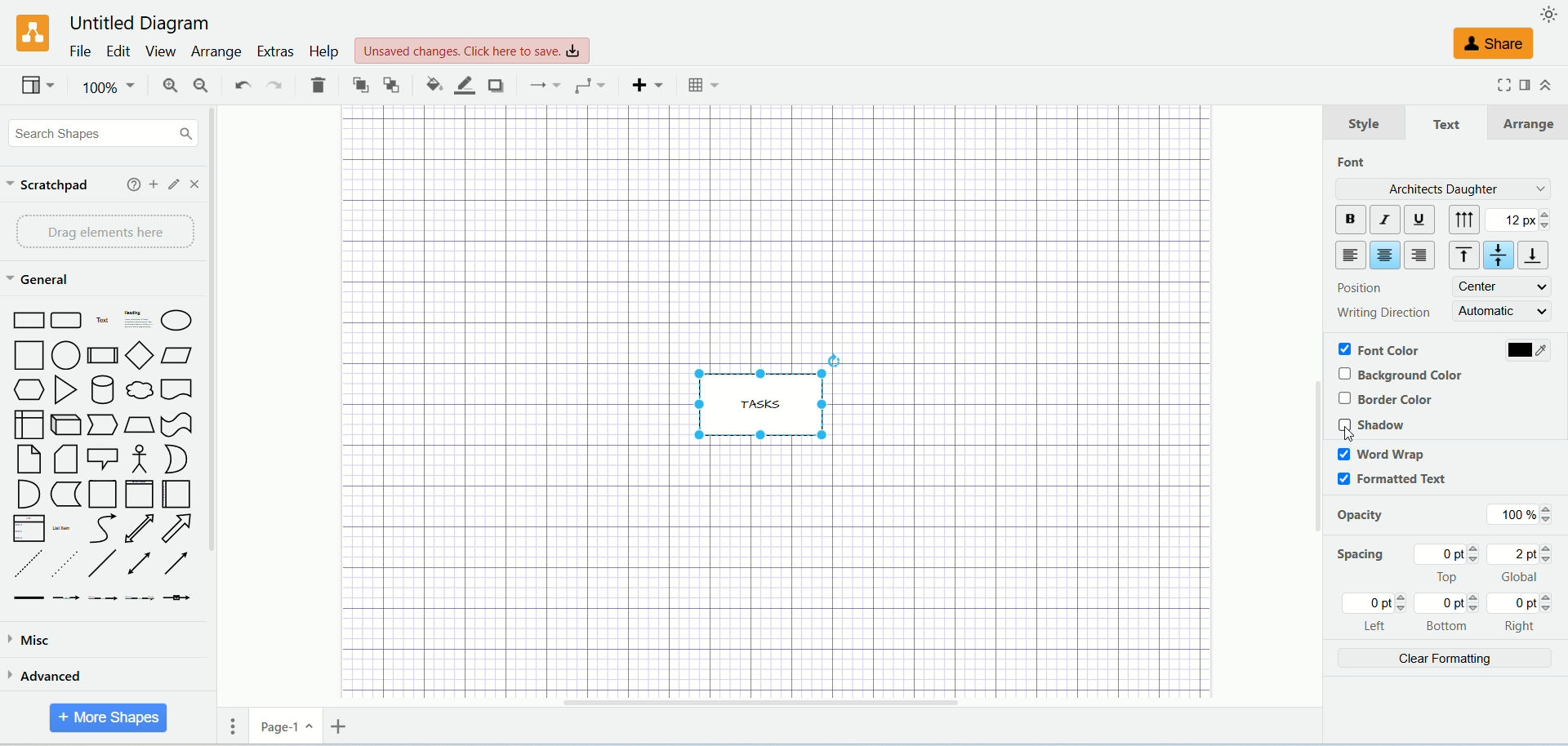  Describe the element at coordinates (177, 389) in the screenshot. I see `Document` at that location.